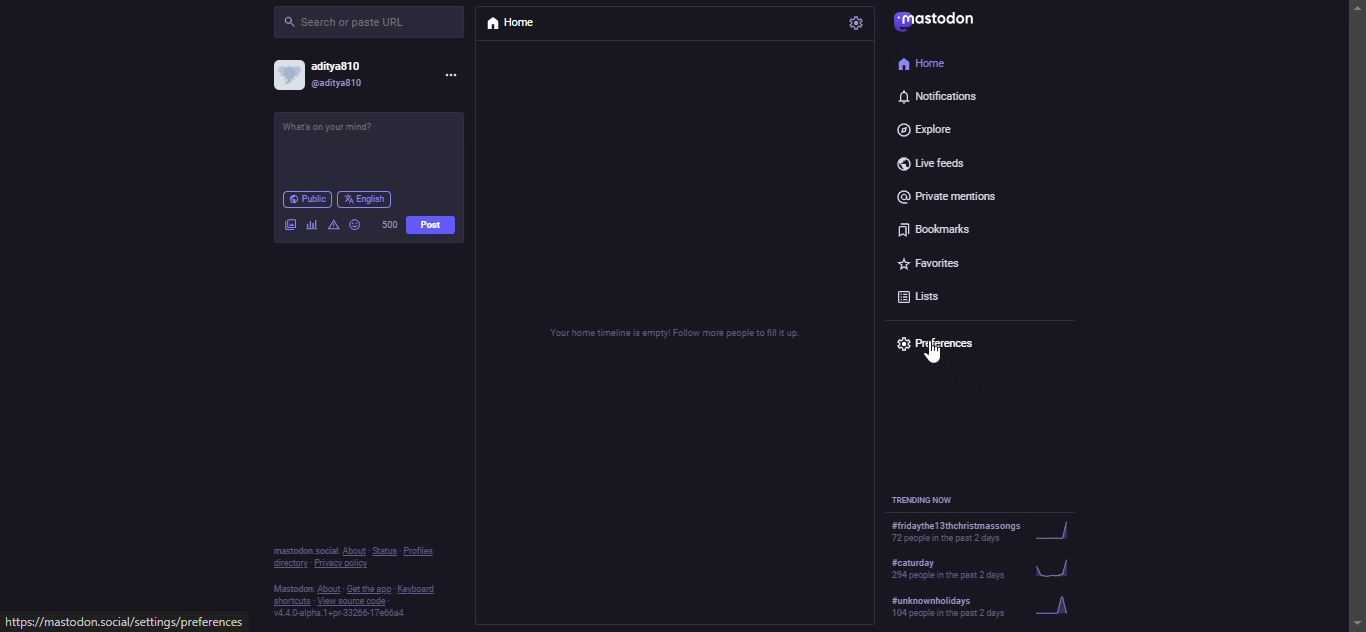 This screenshot has height=632, width=1366. Describe the element at coordinates (335, 224) in the screenshot. I see `advanced` at that location.